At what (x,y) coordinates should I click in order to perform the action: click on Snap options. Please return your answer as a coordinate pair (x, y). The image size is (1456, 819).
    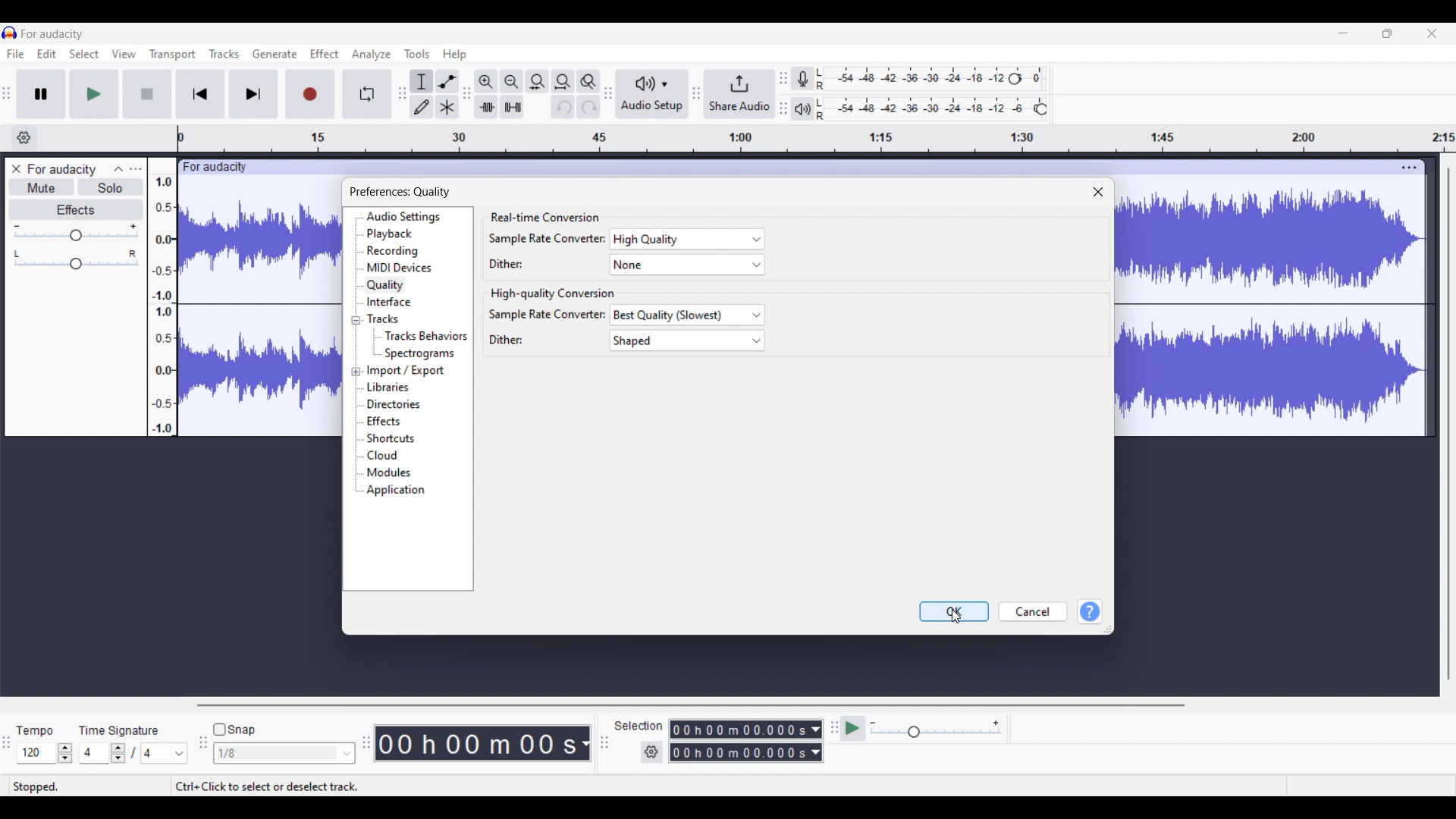
    Looking at the image, I should click on (285, 753).